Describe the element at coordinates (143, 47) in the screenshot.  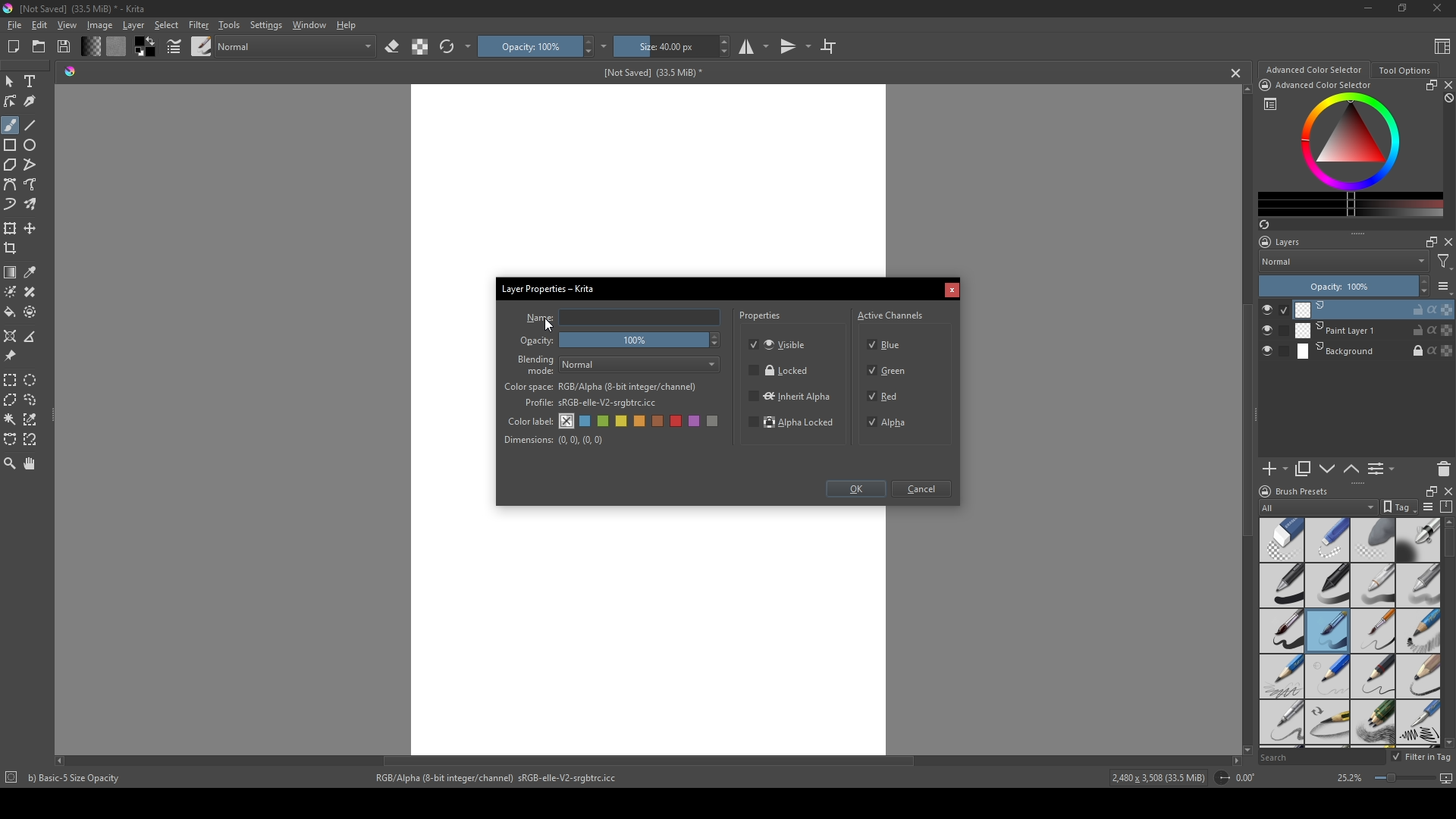
I see `color` at that location.